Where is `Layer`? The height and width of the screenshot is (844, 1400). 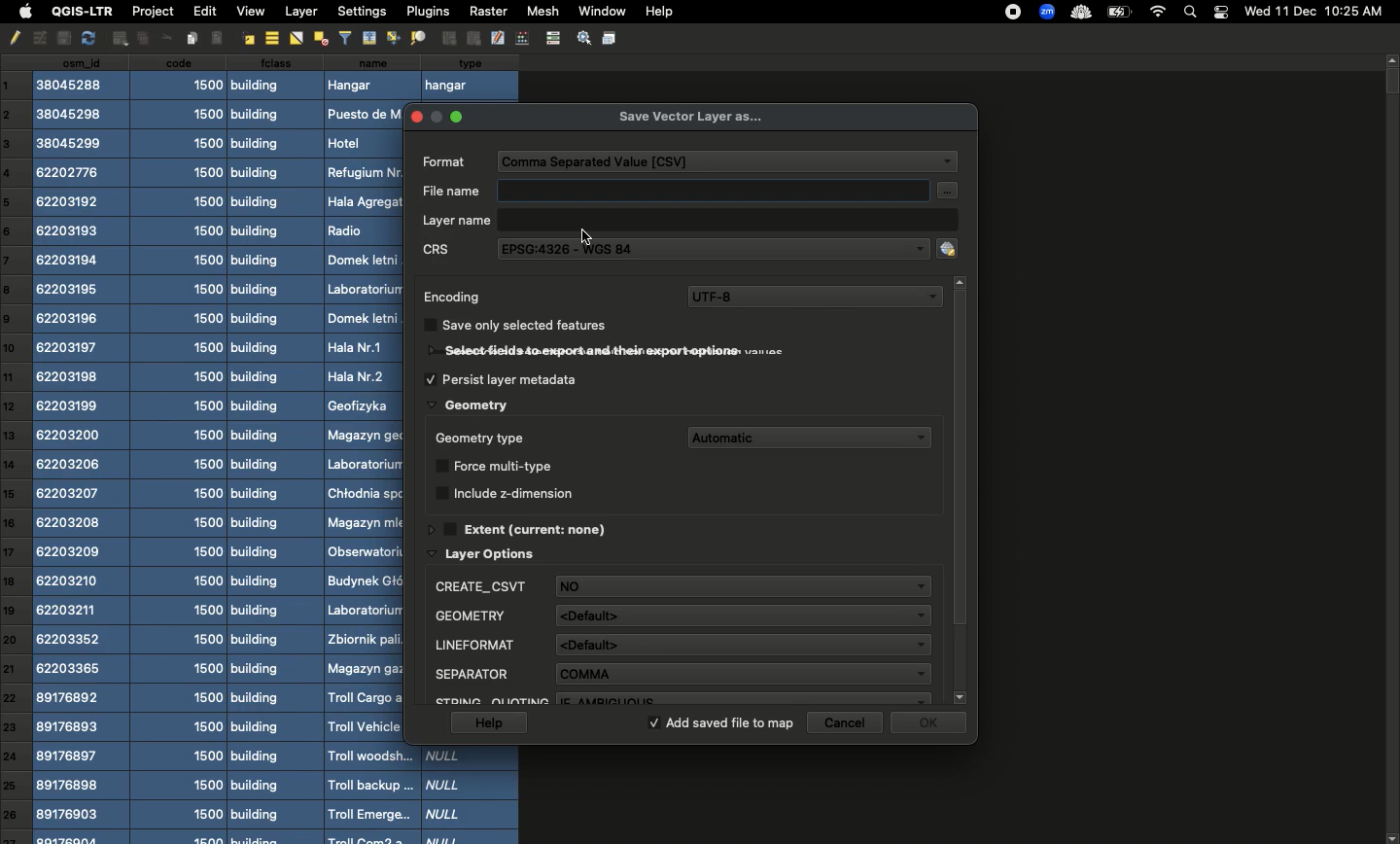
Layer is located at coordinates (301, 12).